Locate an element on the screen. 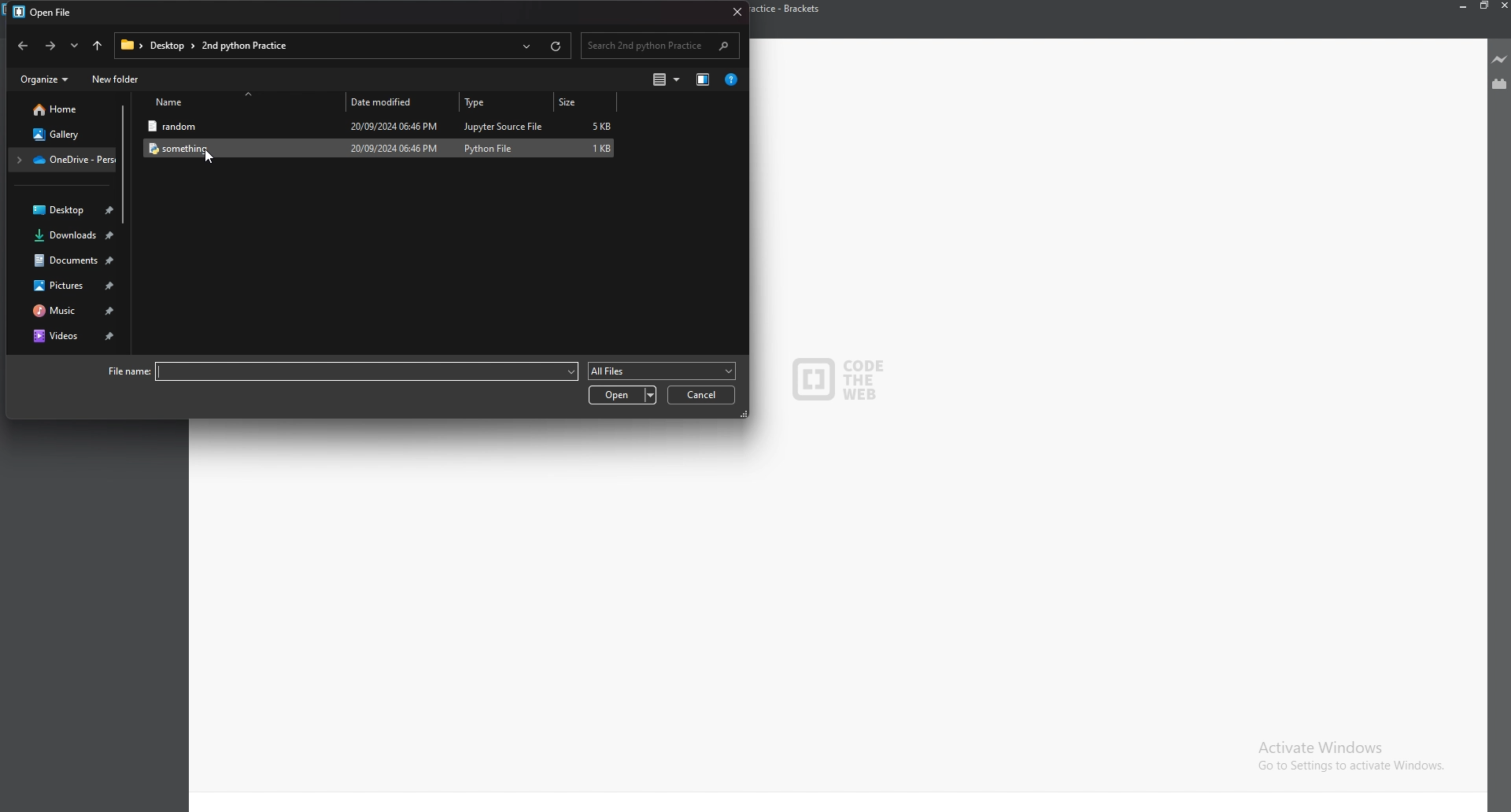 This screenshot has height=812, width=1511. python file is located at coordinates (490, 147).